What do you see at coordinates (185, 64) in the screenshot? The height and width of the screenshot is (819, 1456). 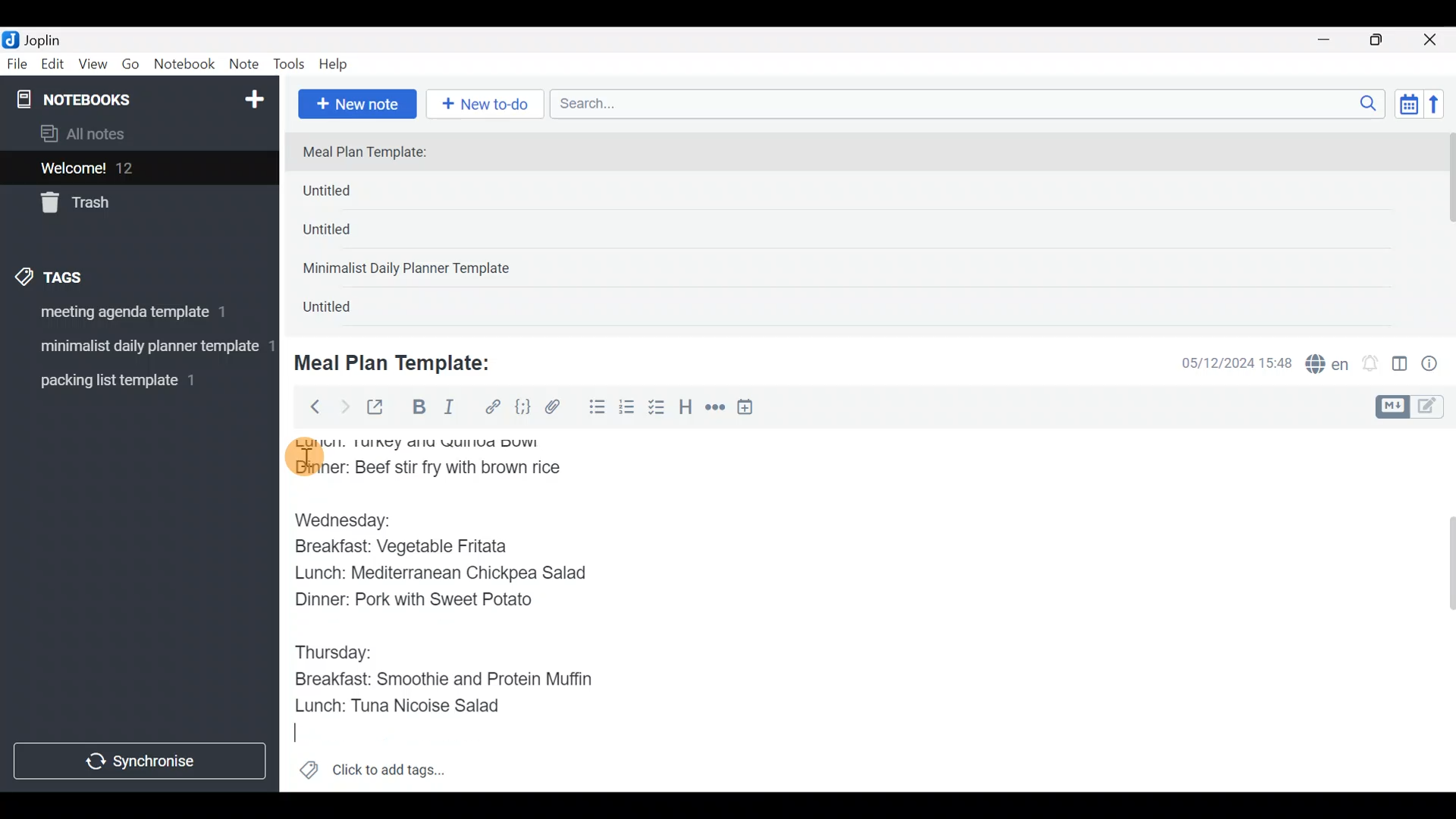 I see `Notebook` at bounding box center [185, 64].